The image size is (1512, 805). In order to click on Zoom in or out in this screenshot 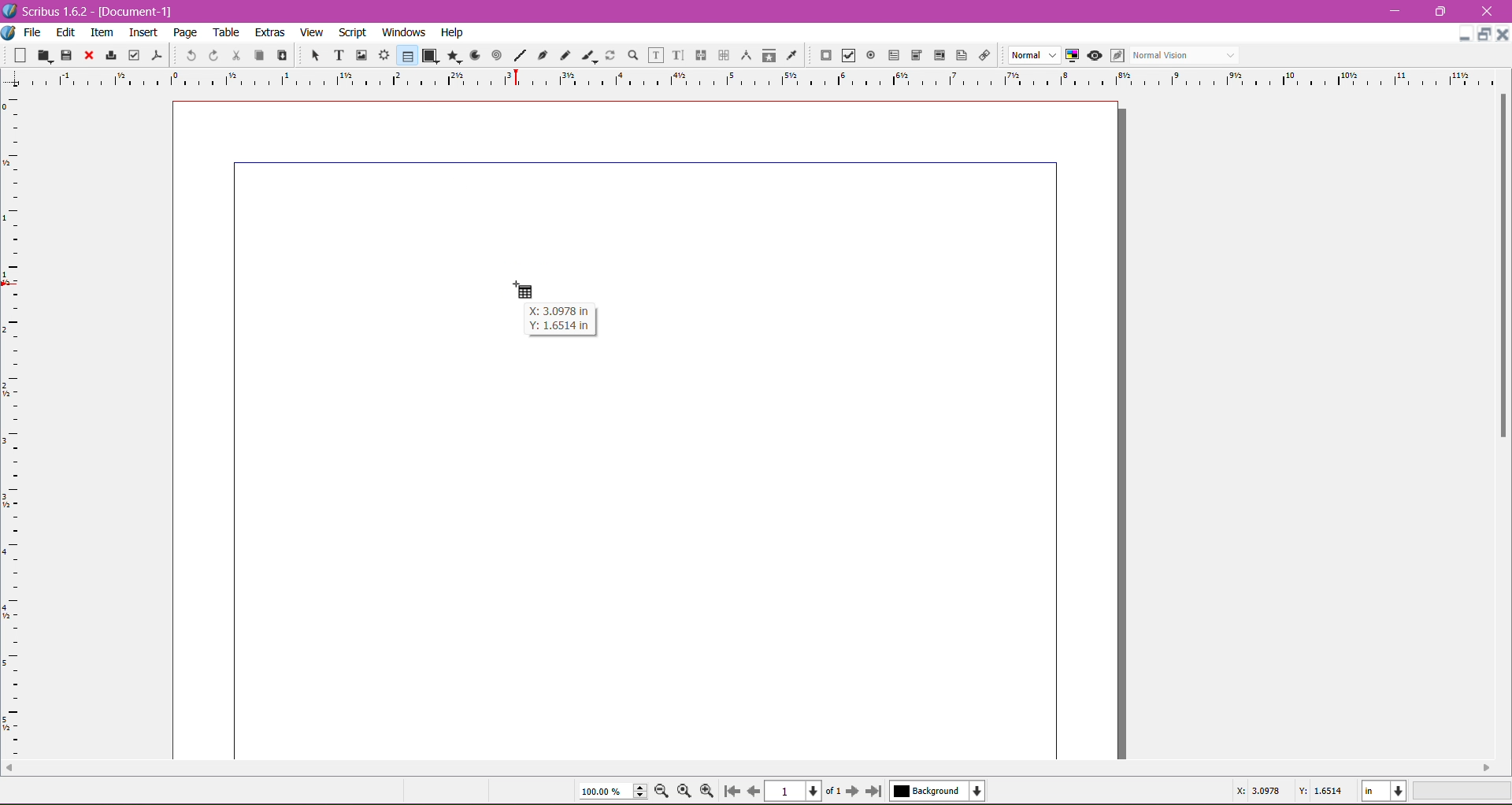, I will do `click(628, 54)`.